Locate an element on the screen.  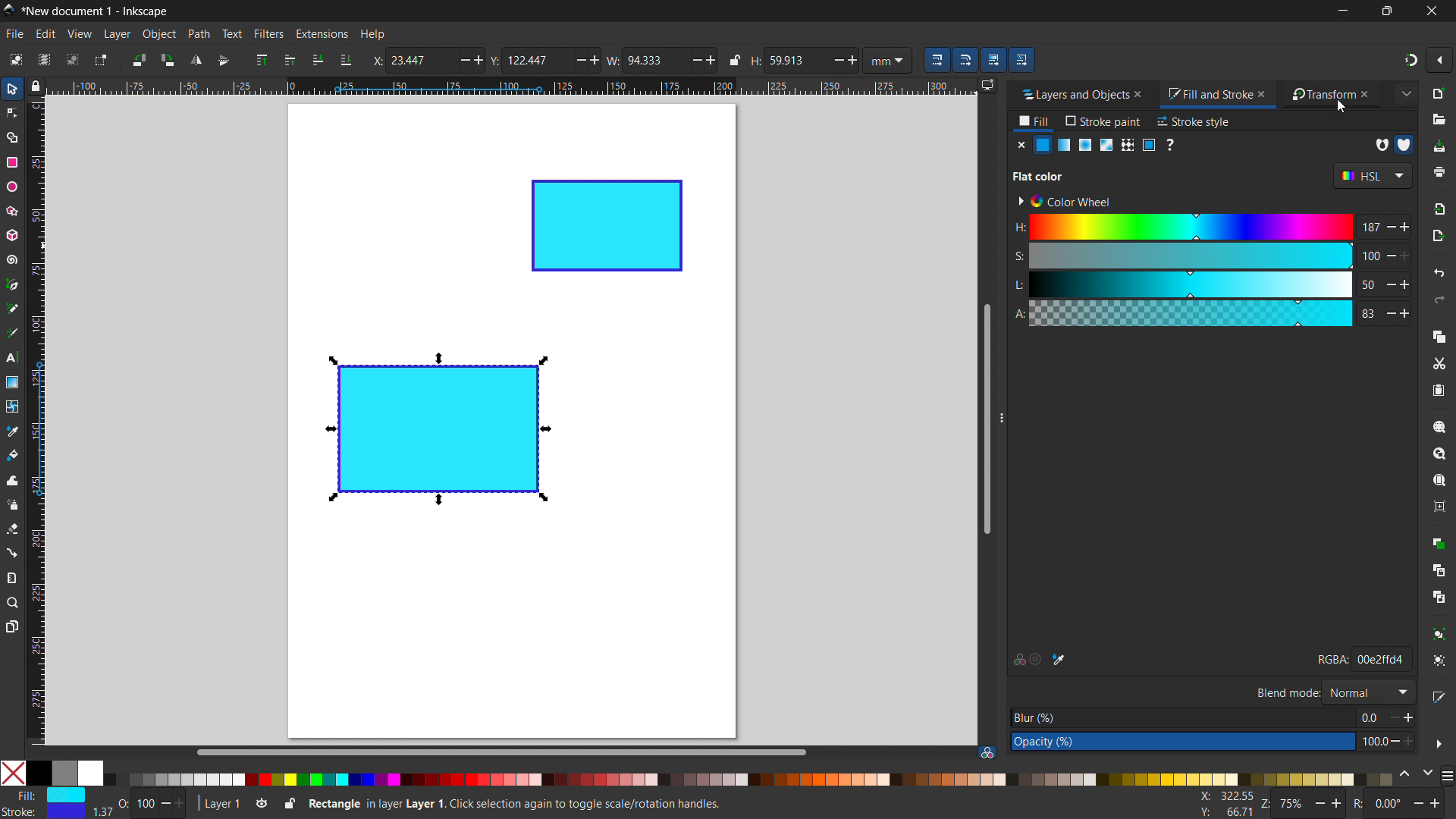
move patterns along with the objects is located at coordinates (1021, 59).